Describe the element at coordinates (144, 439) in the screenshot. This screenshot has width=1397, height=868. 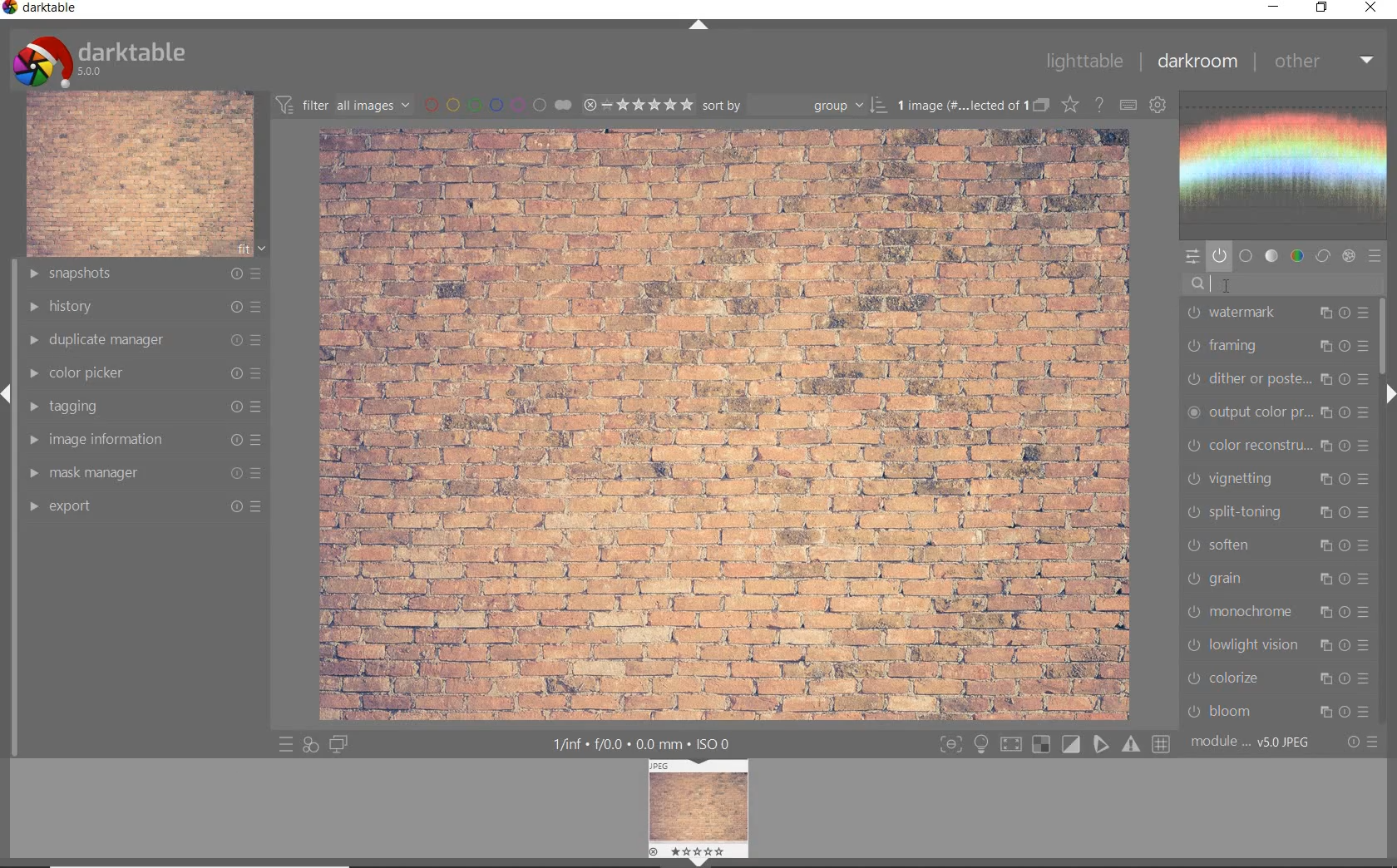
I see `image information` at that location.